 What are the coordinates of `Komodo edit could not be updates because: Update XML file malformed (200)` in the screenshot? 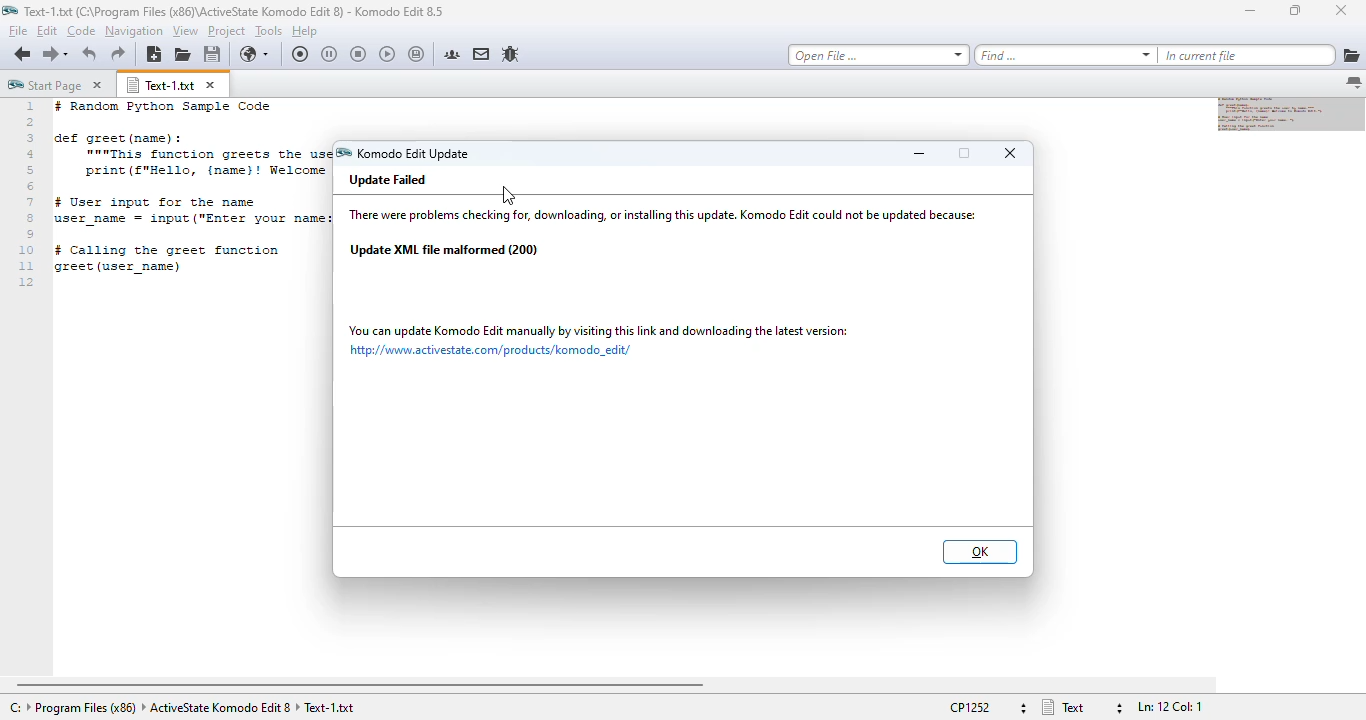 It's located at (668, 234).